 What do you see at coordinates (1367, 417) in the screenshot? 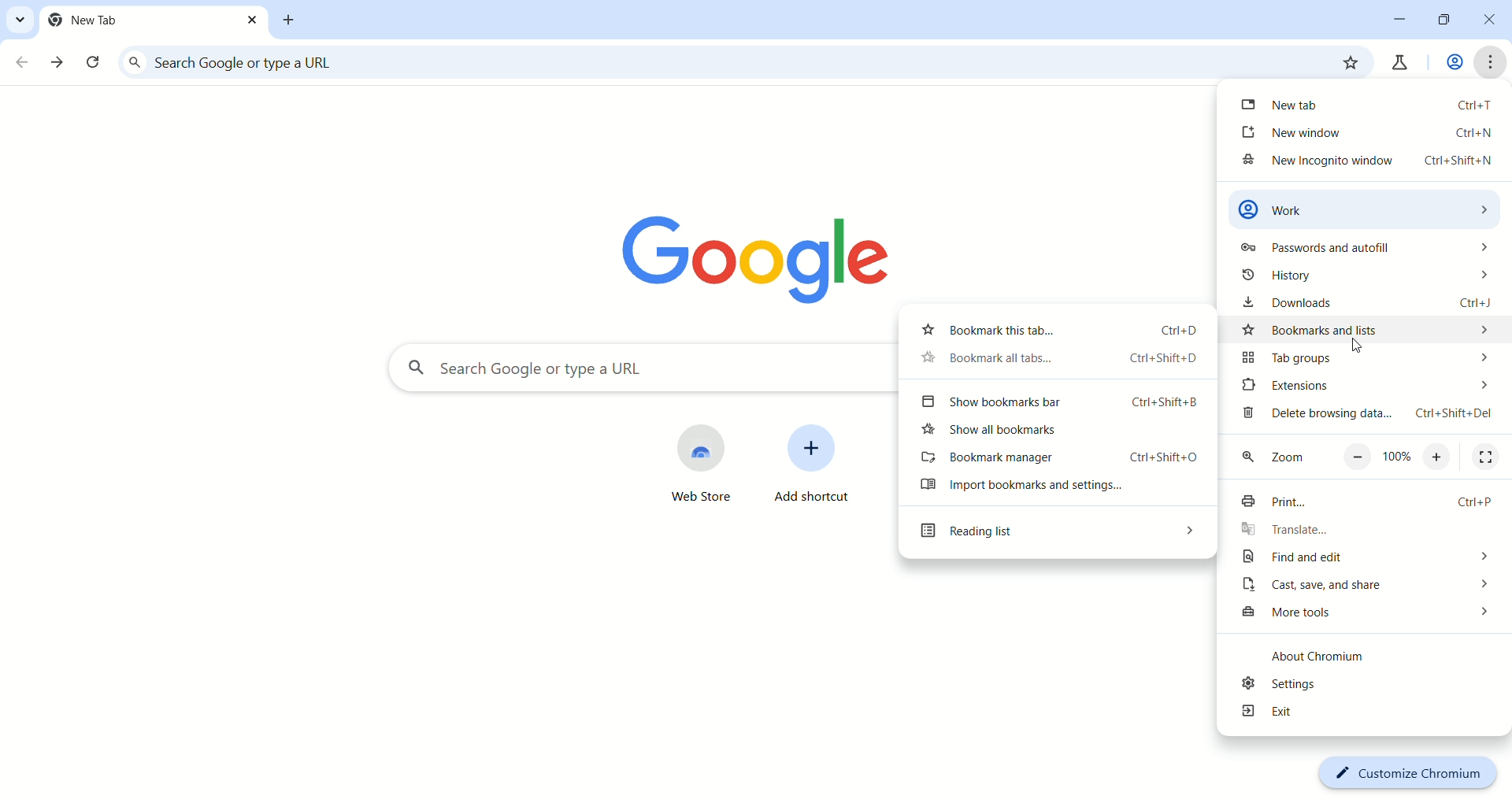
I see `delete browsing data` at bounding box center [1367, 417].